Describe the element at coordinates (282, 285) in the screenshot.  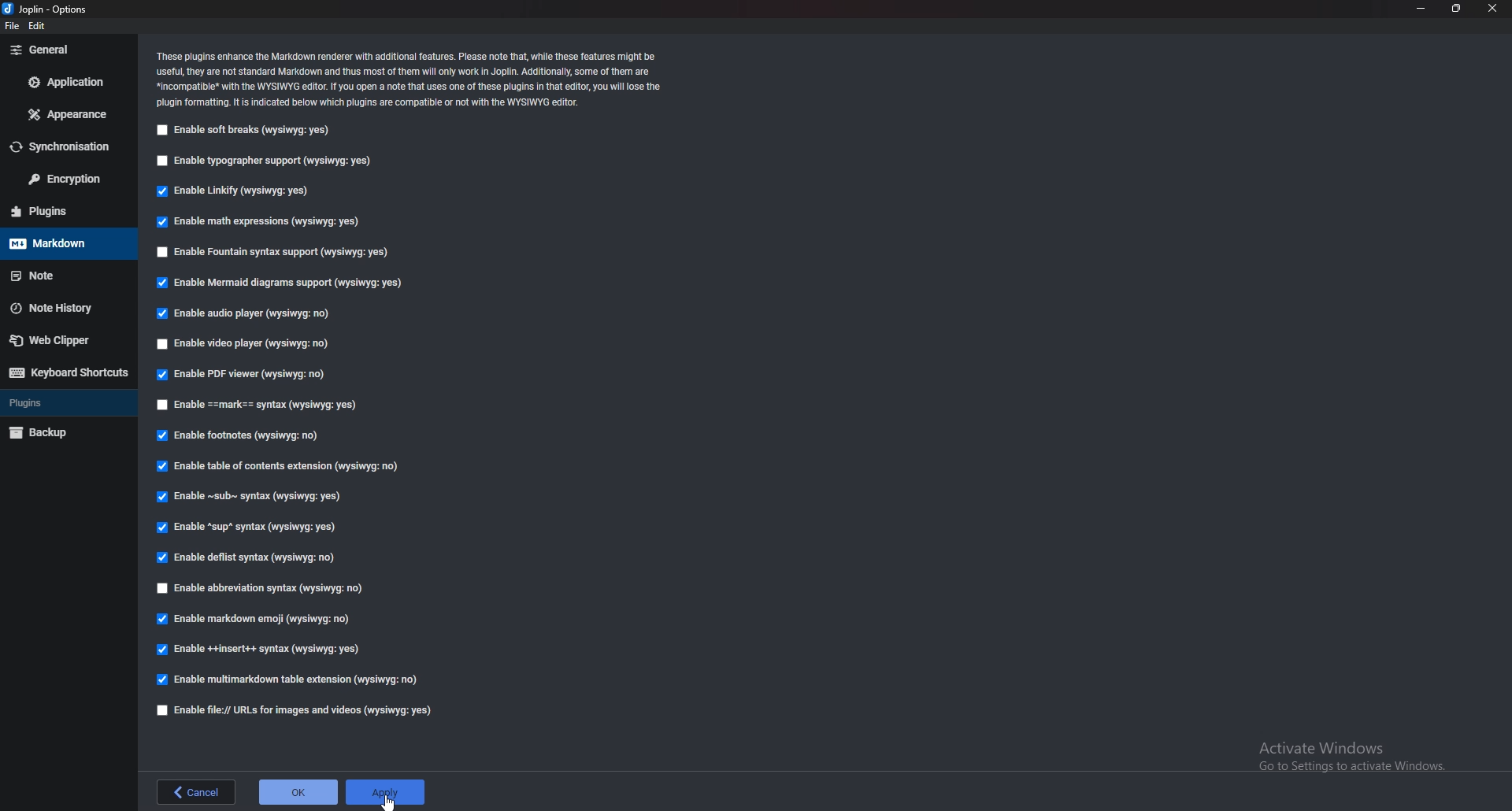
I see `Enable mermaid diagrams support (wysiqyg:yes)` at that location.